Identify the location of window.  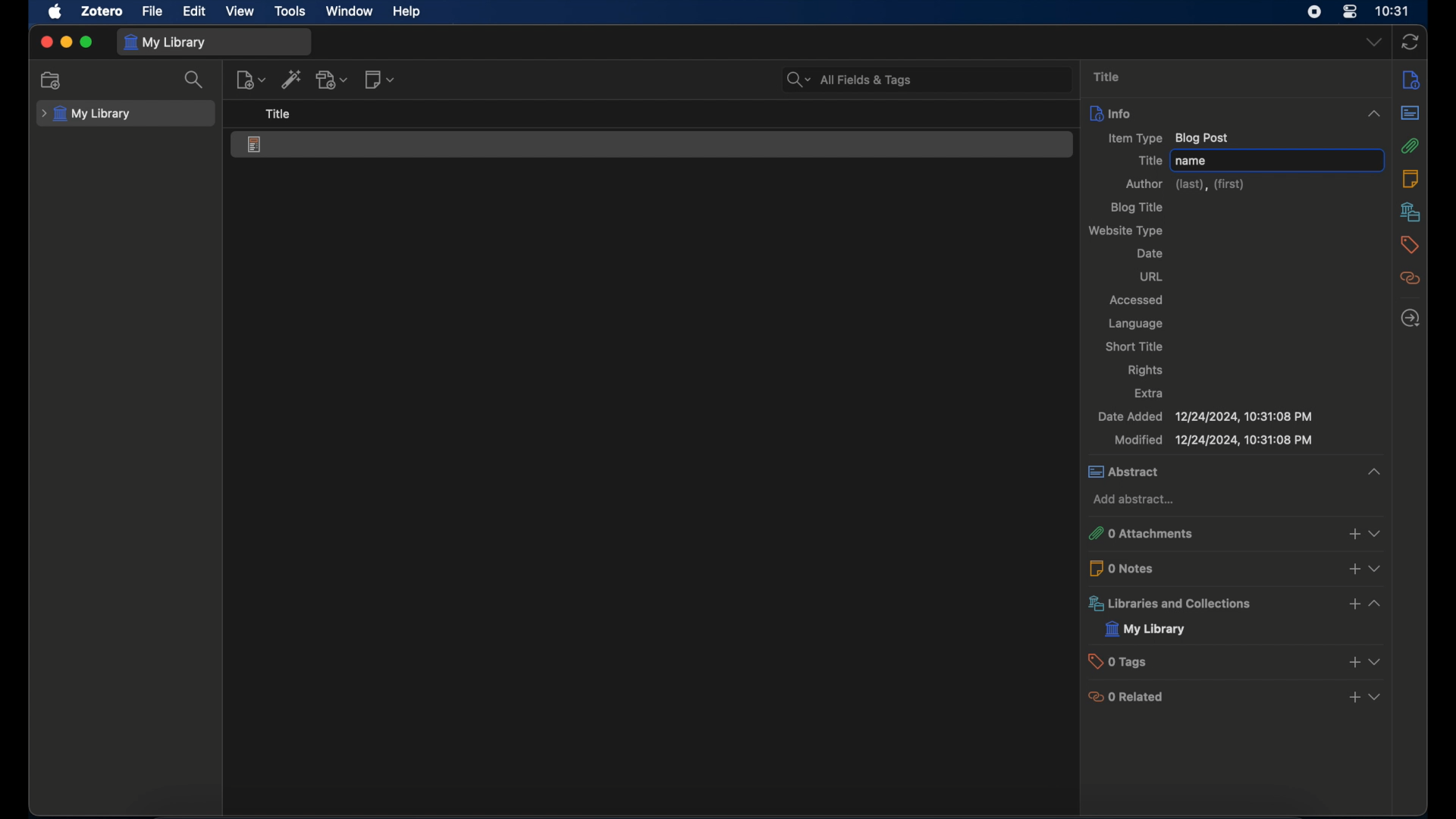
(350, 11).